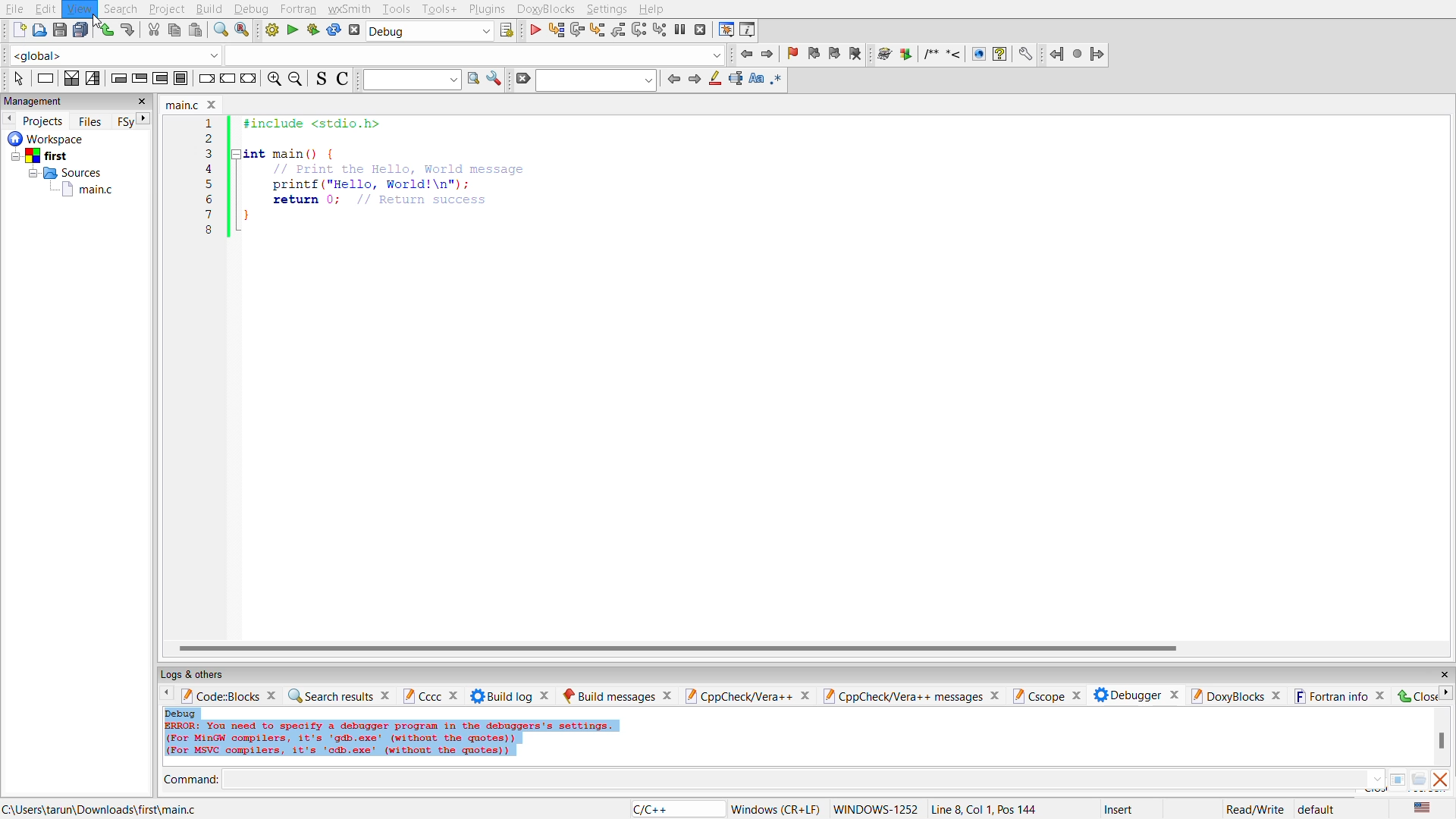 This screenshot has height=819, width=1456. I want to click on debug/conitnue, so click(534, 30).